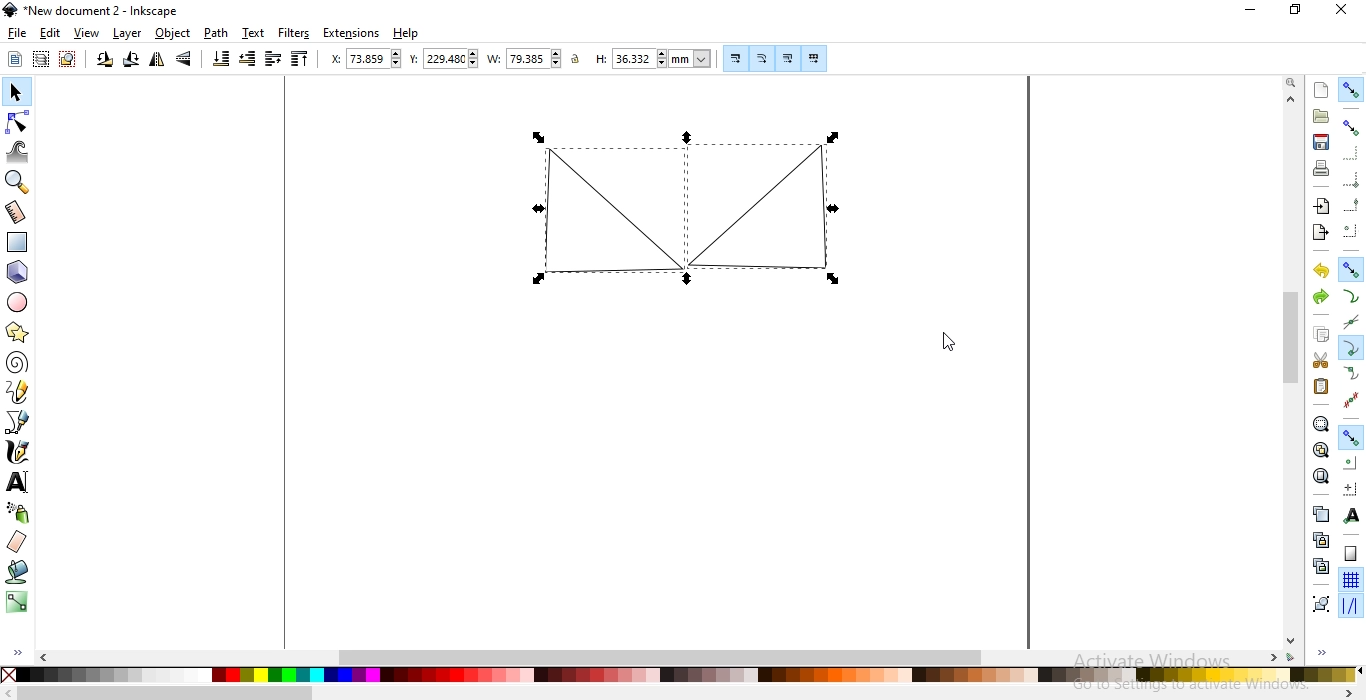  What do you see at coordinates (15, 92) in the screenshot?
I see `select and transform objects` at bounding box center [15, 92].